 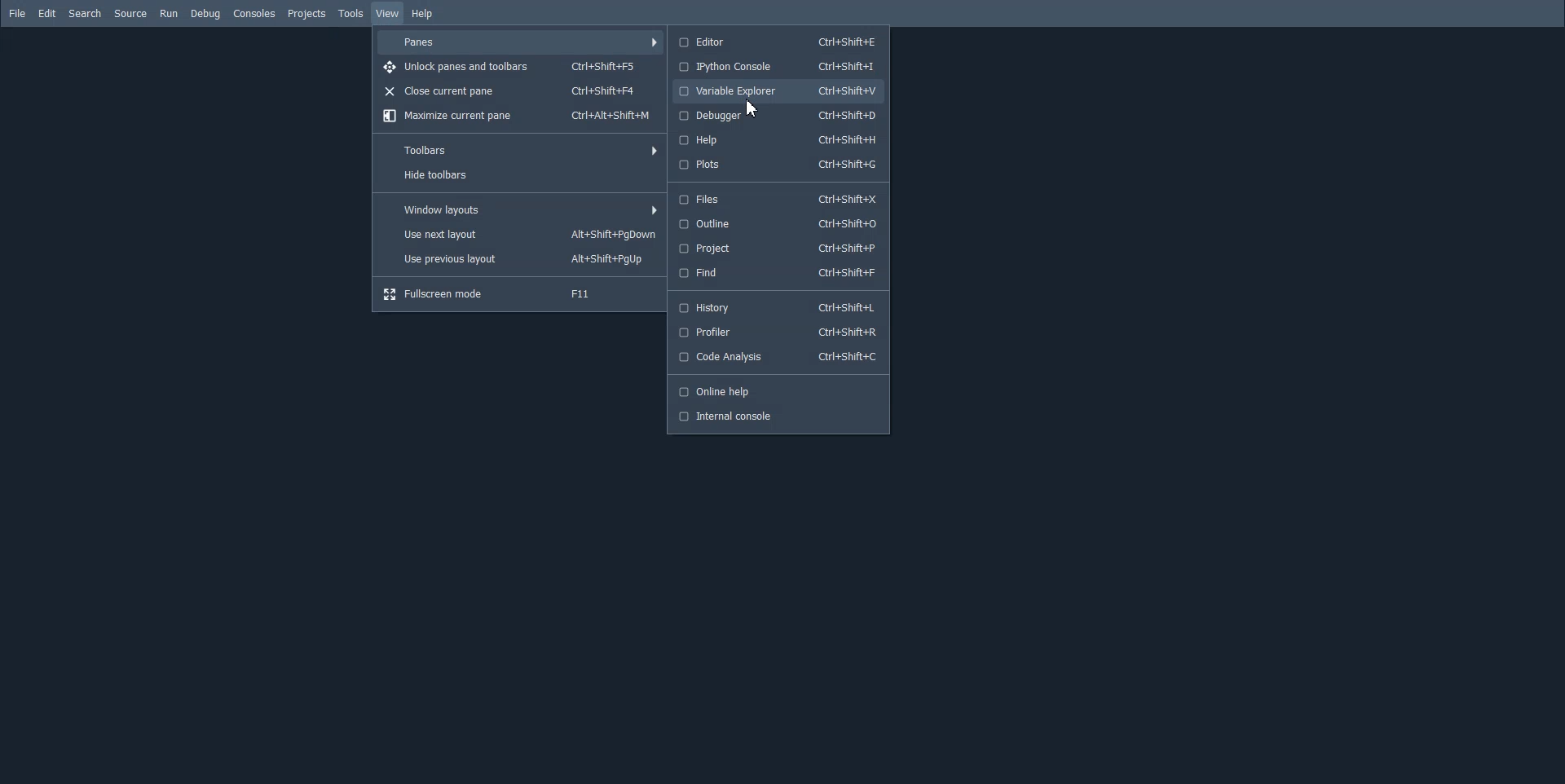 What do you see at coordinates (779, 139) in the screenshot?
I see `Help` at bounding box center [779, 139].